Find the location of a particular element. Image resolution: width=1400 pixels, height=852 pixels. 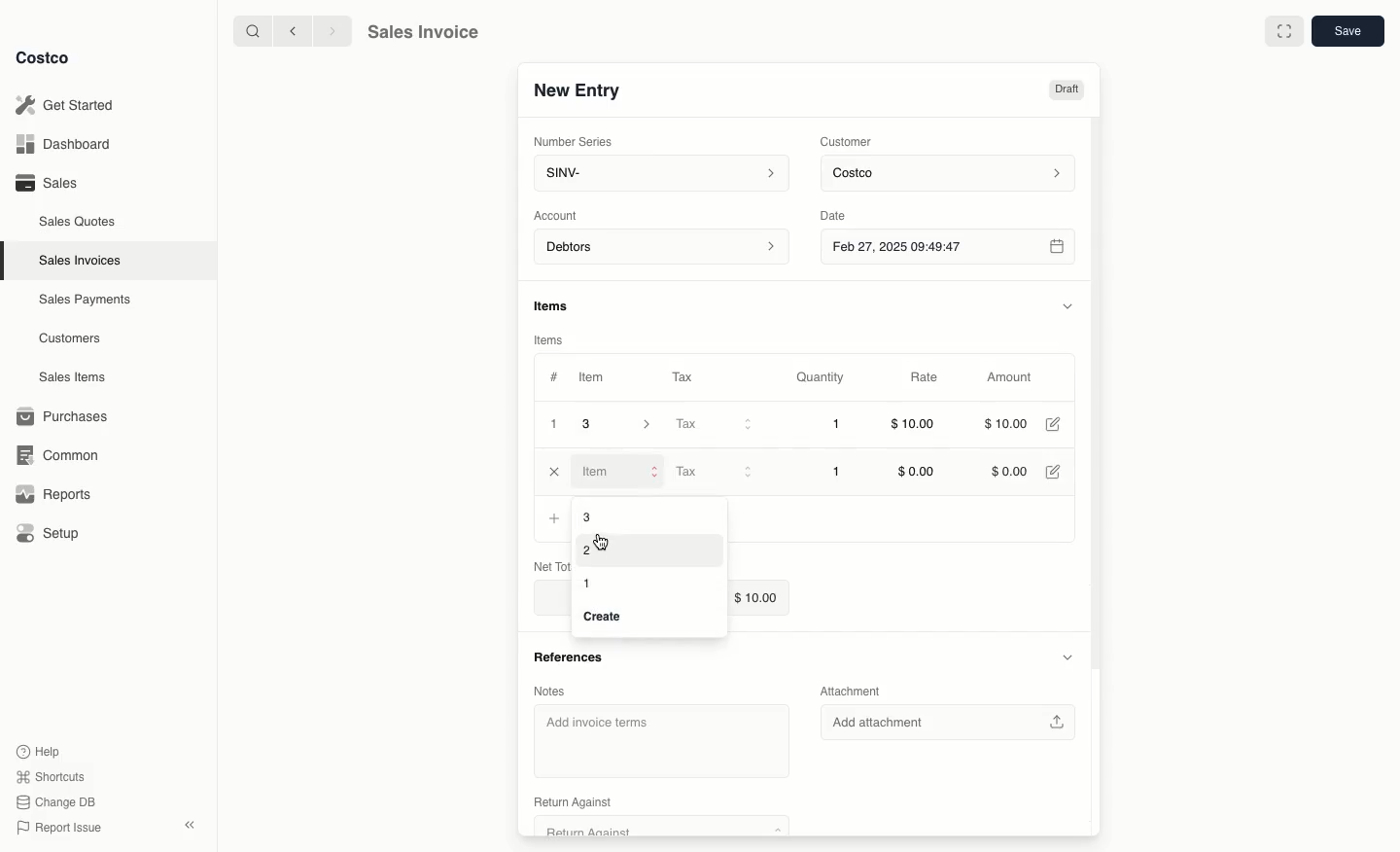

Customer is located at coordinates (847, 140).